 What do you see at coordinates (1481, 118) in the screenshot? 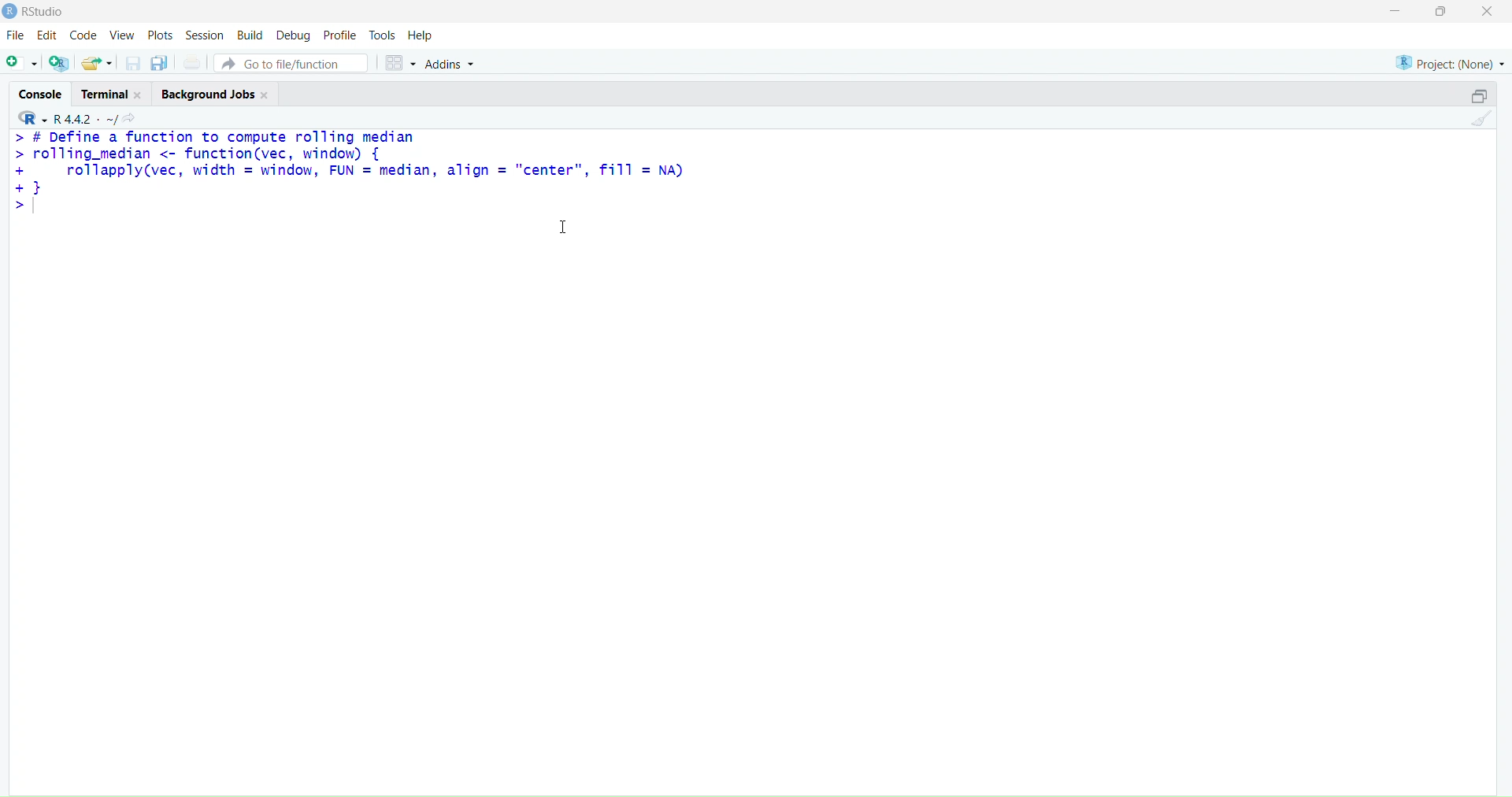
I see `clean` at bounding box center [1481, 118].